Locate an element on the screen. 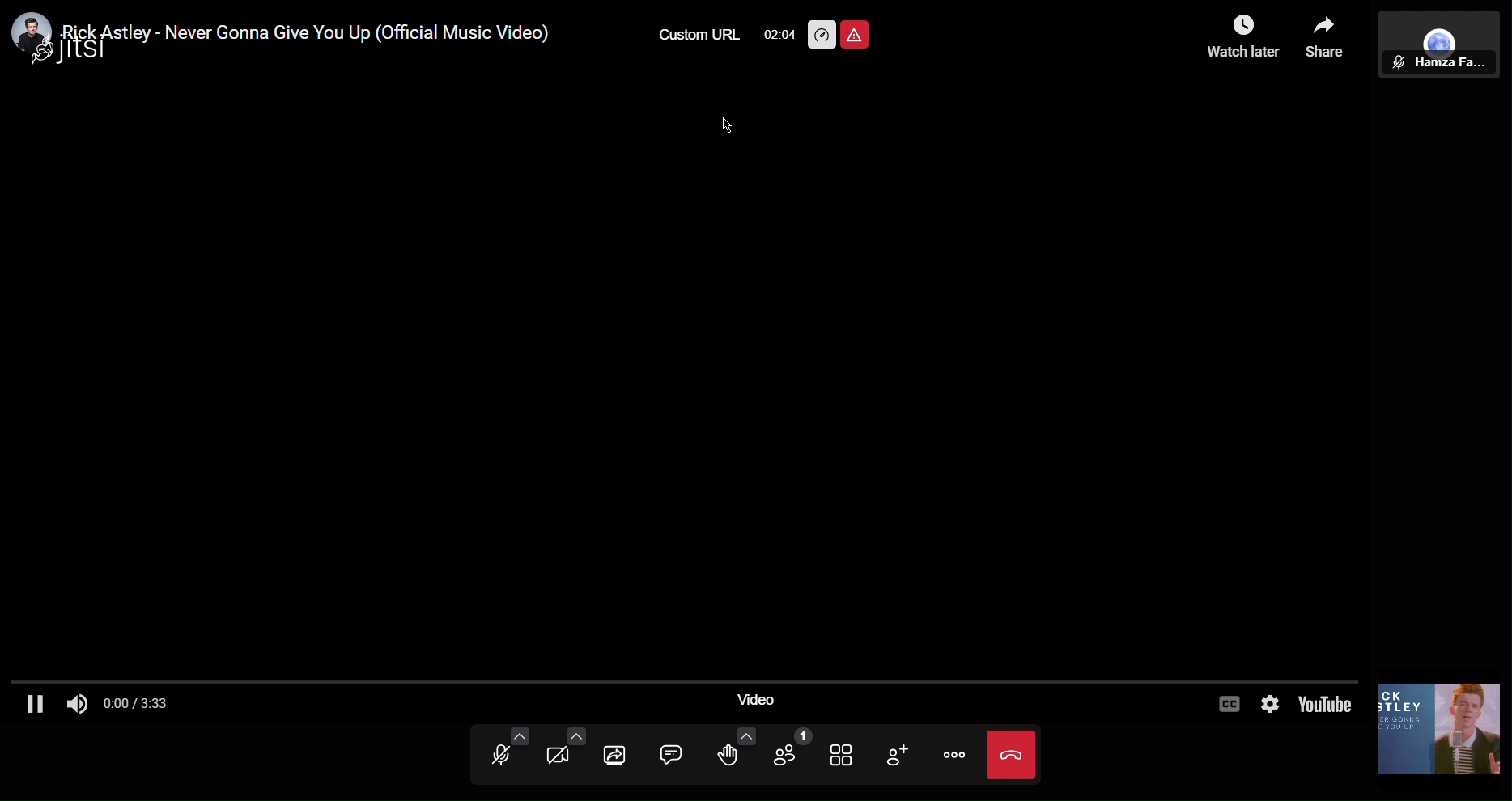 This screenshot has height=801, width=1512. Custom URL is located at coordinates (690, 36).